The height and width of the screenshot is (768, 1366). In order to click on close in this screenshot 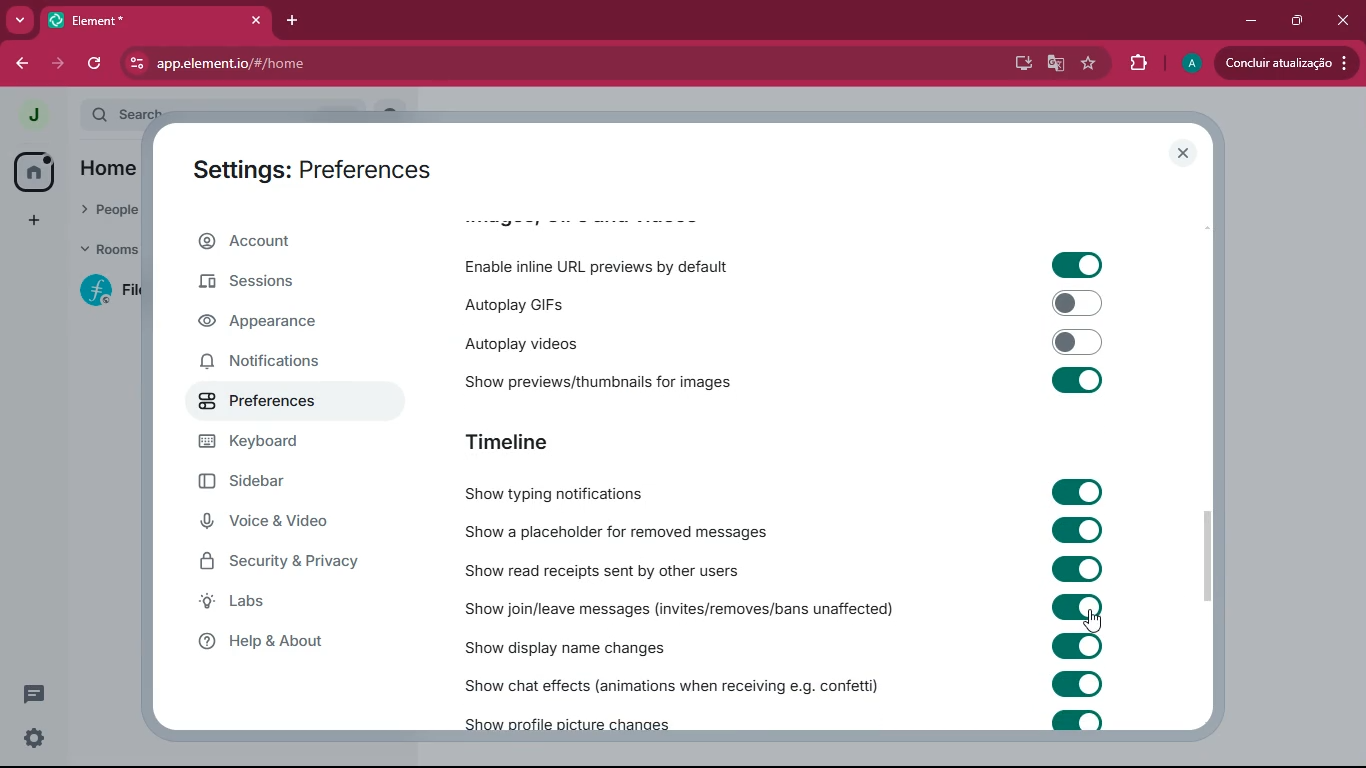, I will do `click(1345, 23)`.